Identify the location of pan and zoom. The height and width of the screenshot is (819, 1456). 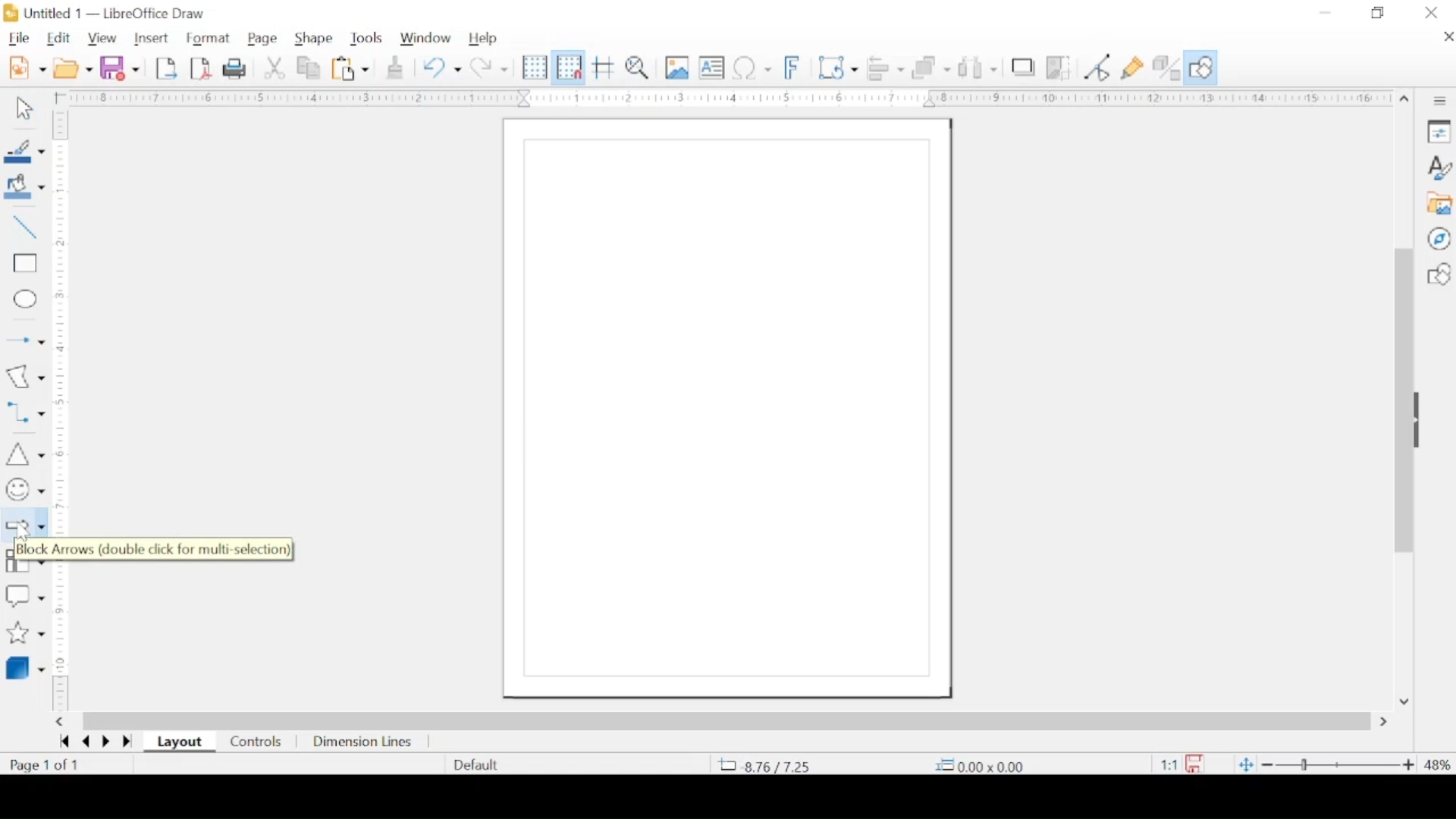
(638, 67).